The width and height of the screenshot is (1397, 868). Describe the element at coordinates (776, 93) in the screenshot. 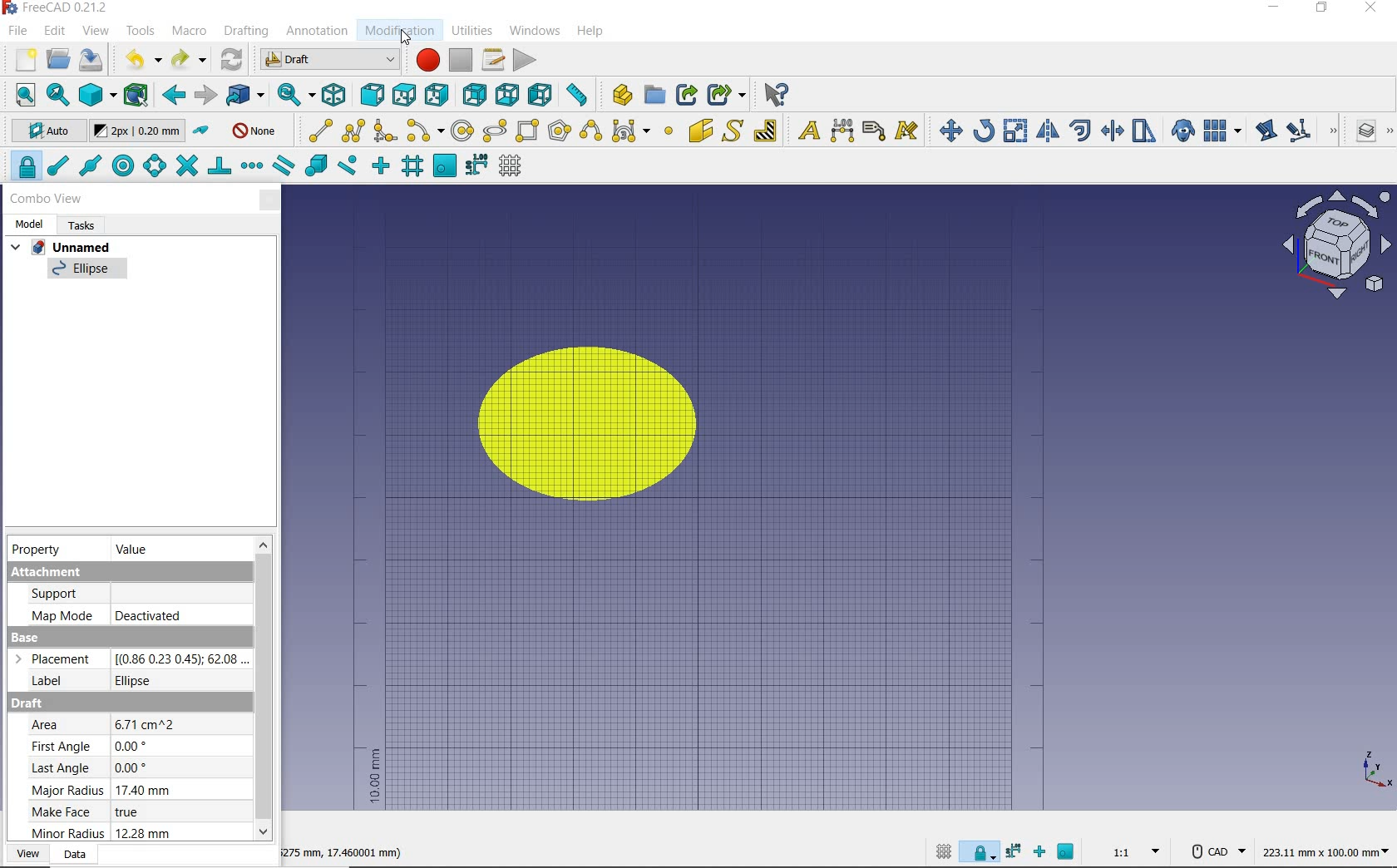

I see `what's this` at that location.